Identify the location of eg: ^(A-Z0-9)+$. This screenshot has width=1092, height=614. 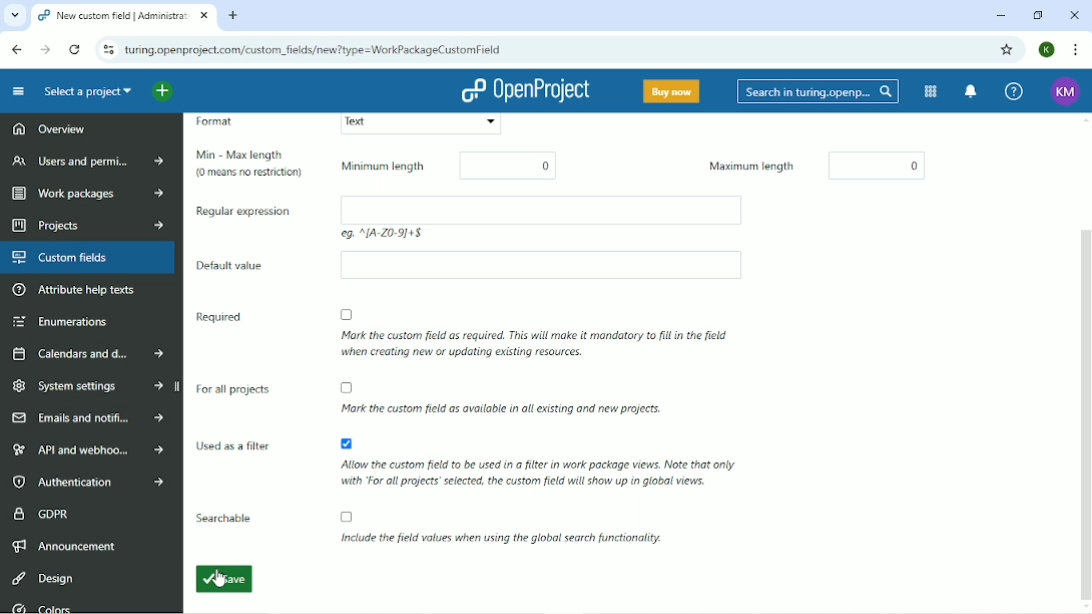
(424, 234).